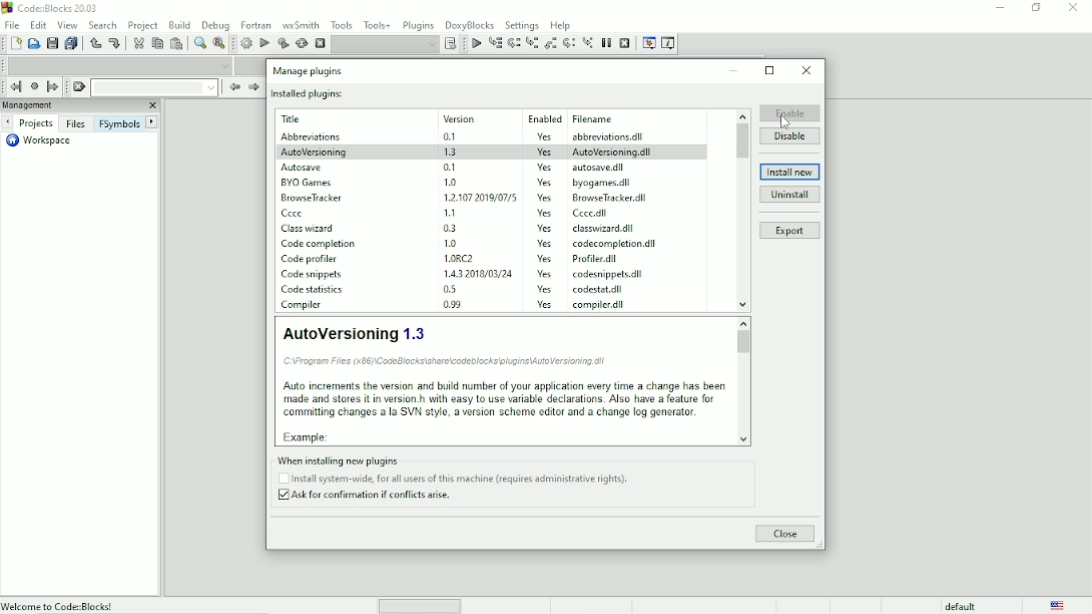 This screenshot has height=614, width=1092. What do you see at coordinates (303, 165) in the screenshot?
I see `plugin` at bounding box center [303, 165].